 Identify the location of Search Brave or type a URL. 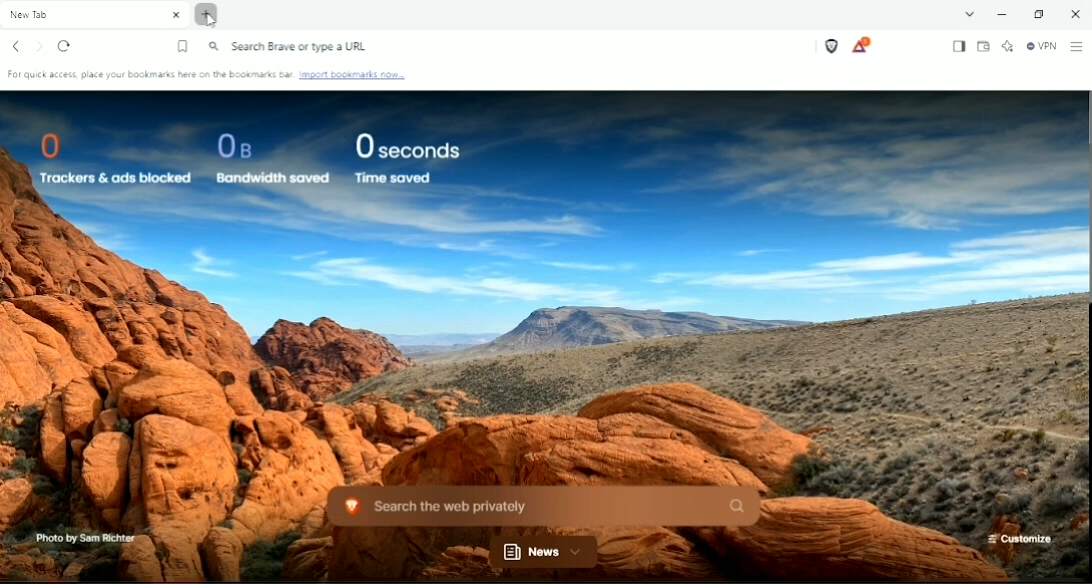
(292, 46).